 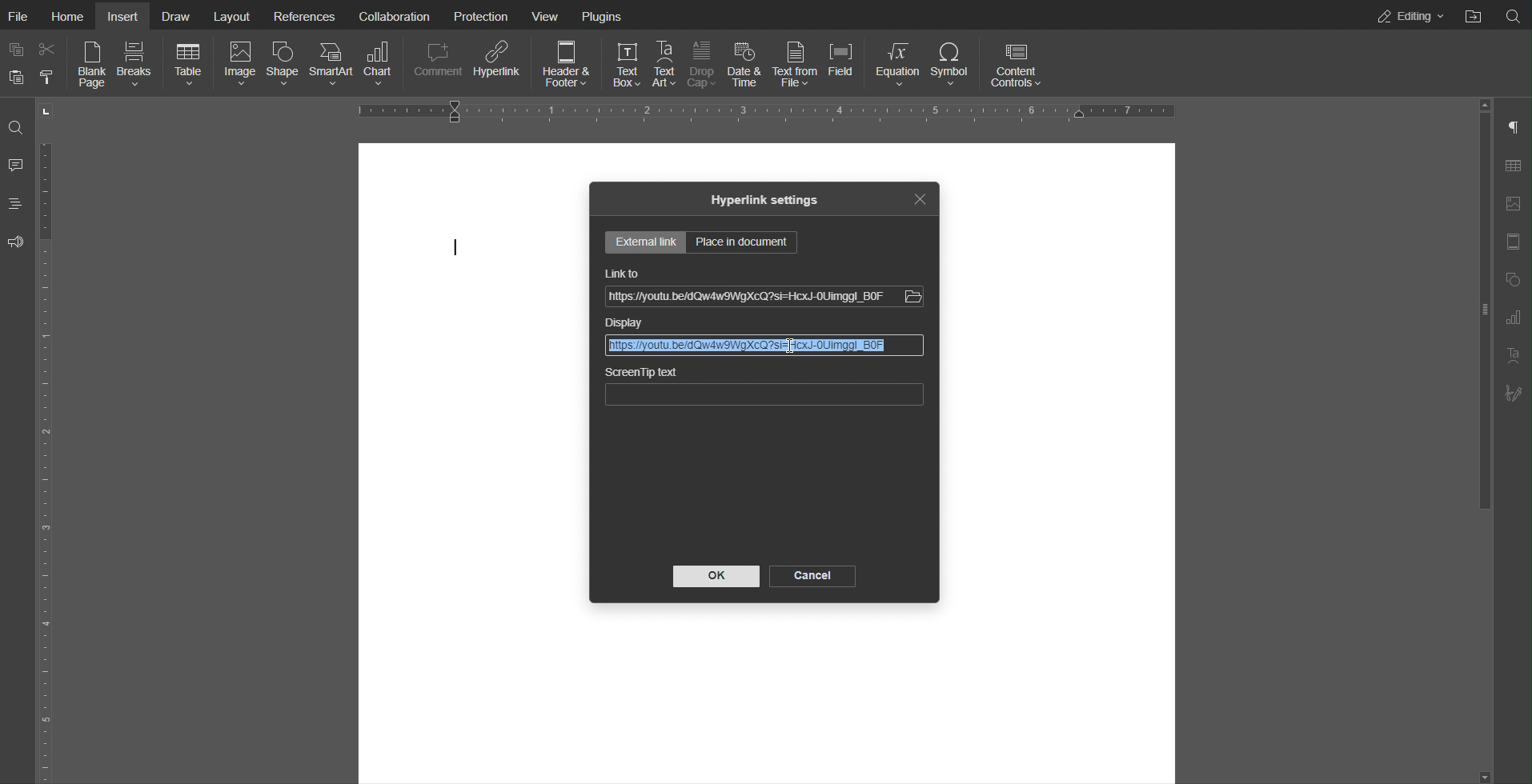 What do you see at coordinates (1514, 16) in the screenshot?
I see `Search` at bounding box center [1514, 16].